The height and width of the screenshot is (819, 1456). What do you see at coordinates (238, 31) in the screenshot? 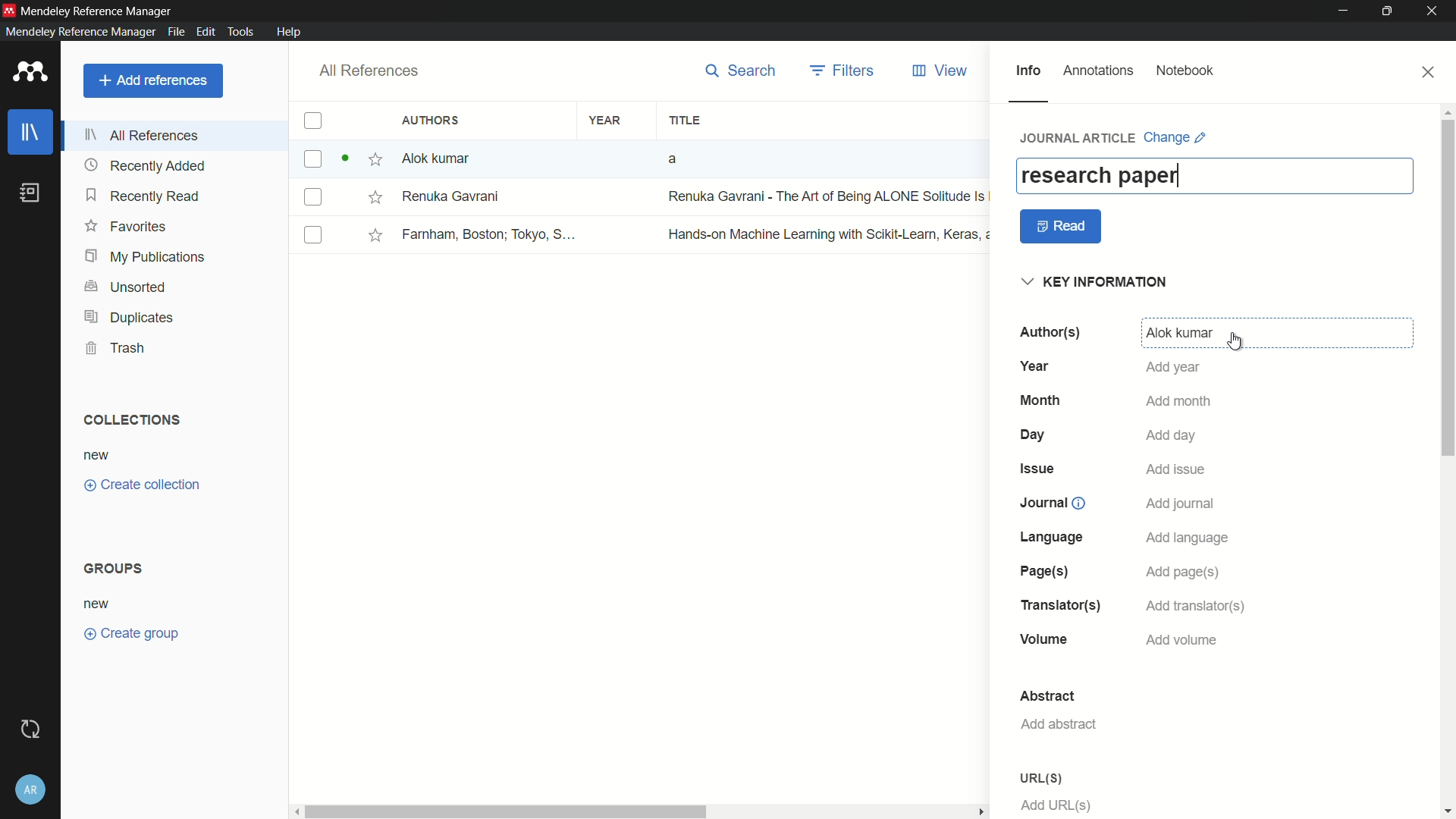
I see `tools menu` at bounding box center [238, 31].